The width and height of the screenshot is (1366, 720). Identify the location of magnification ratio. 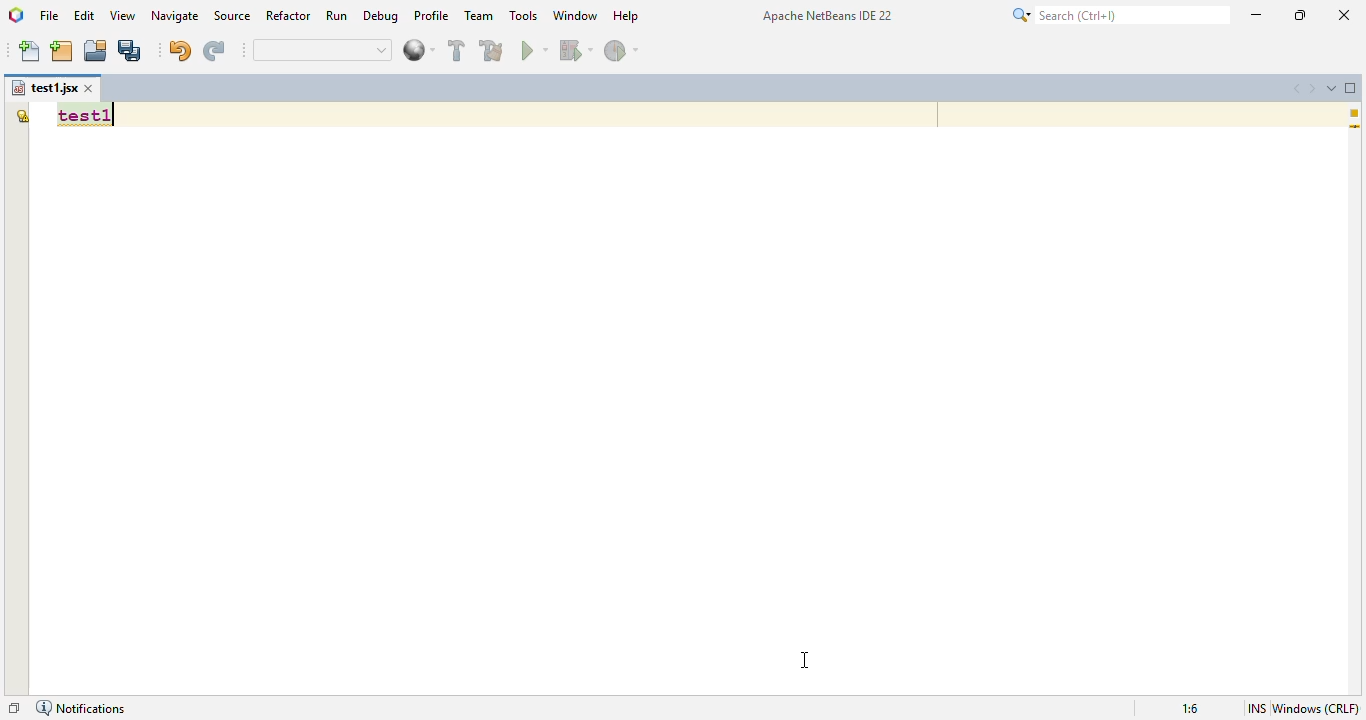
(1190, 708).